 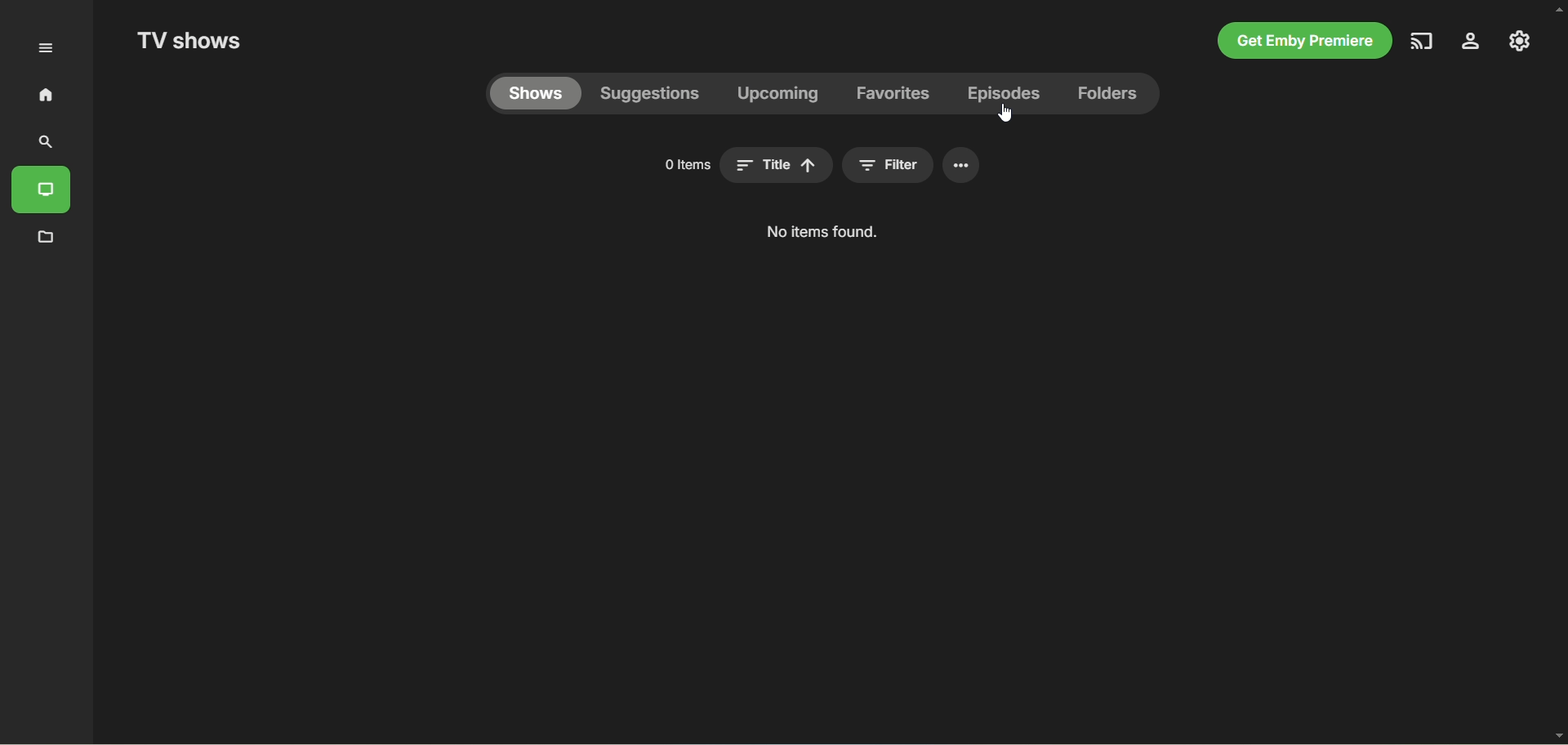 I want to click on Expand, so click(x=45, y=48).